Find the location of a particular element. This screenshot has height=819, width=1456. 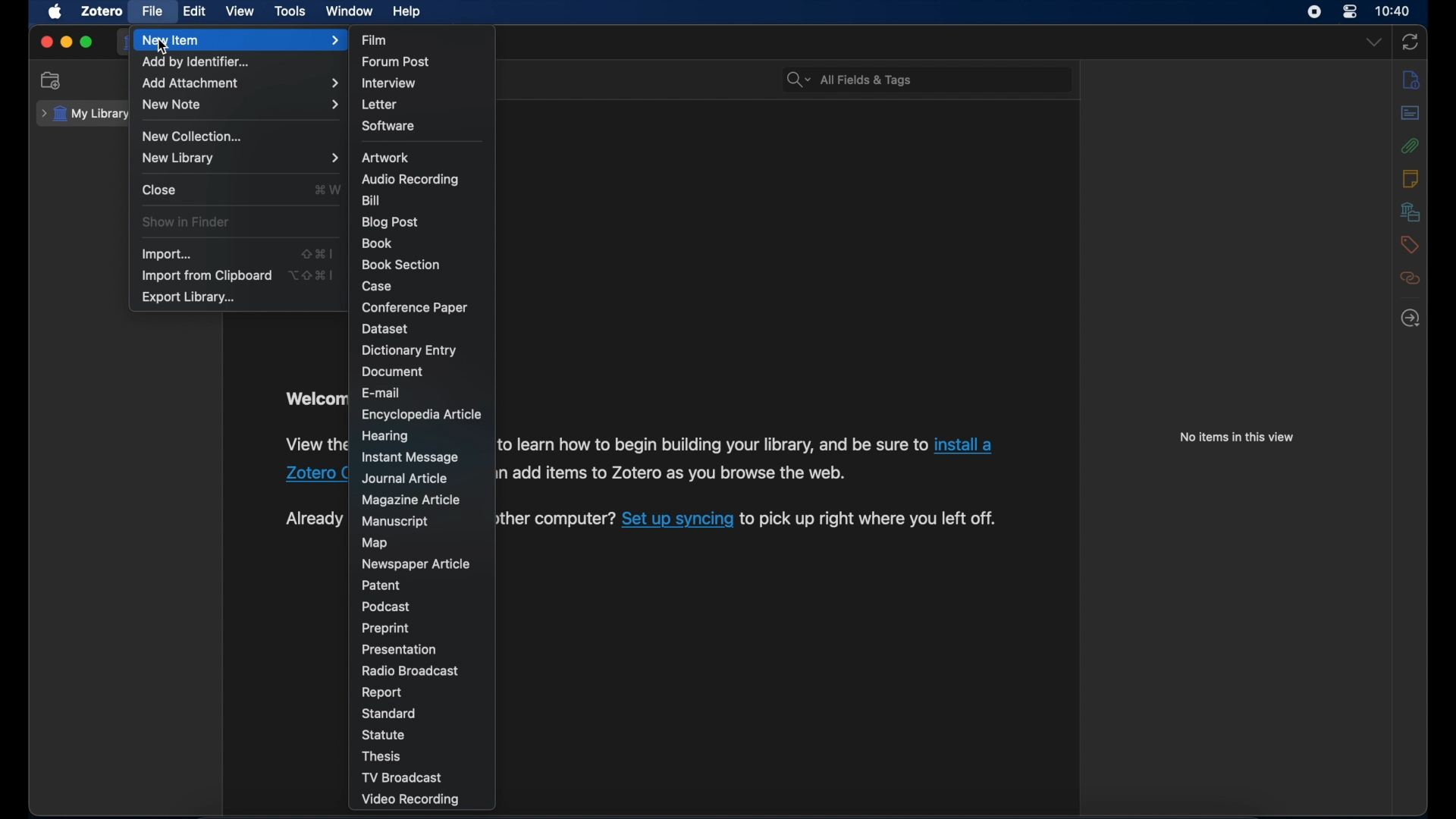

zotero is located at coordinates (100, 11).